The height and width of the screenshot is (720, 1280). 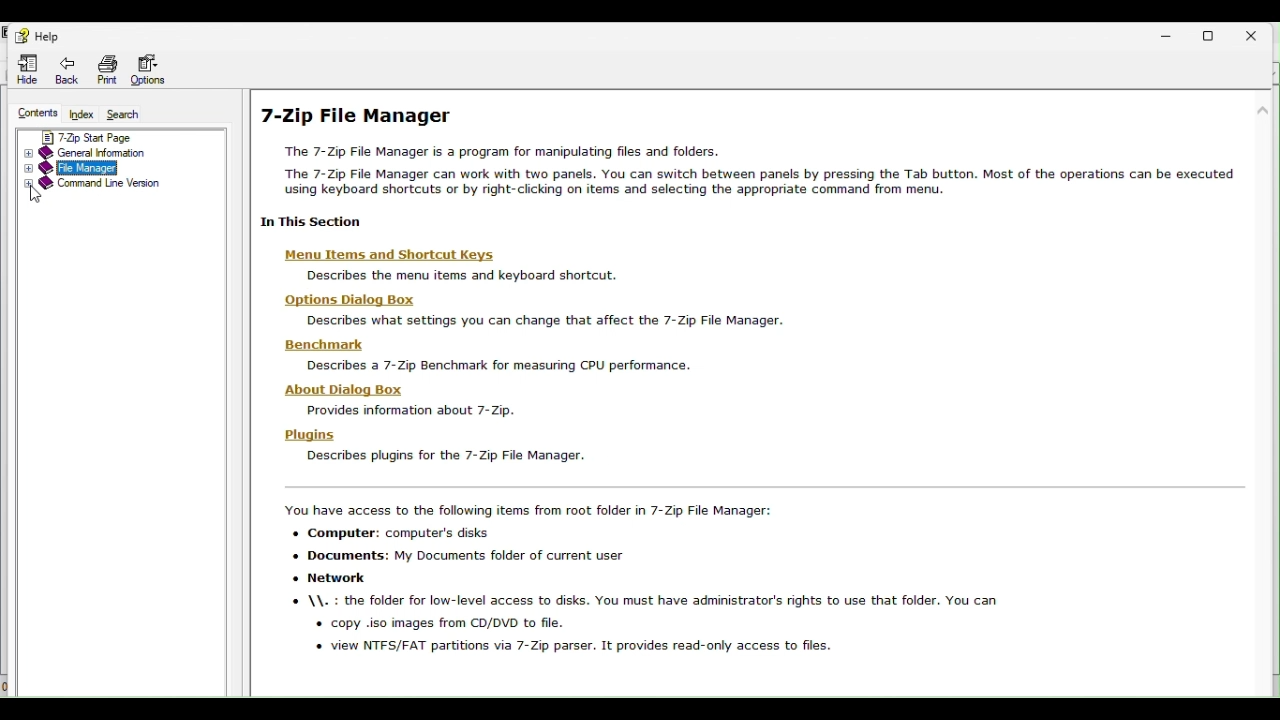 I want to click on Describes what settings you can change that affect the 7-Zip File Manager., so click(x=543, y=321).